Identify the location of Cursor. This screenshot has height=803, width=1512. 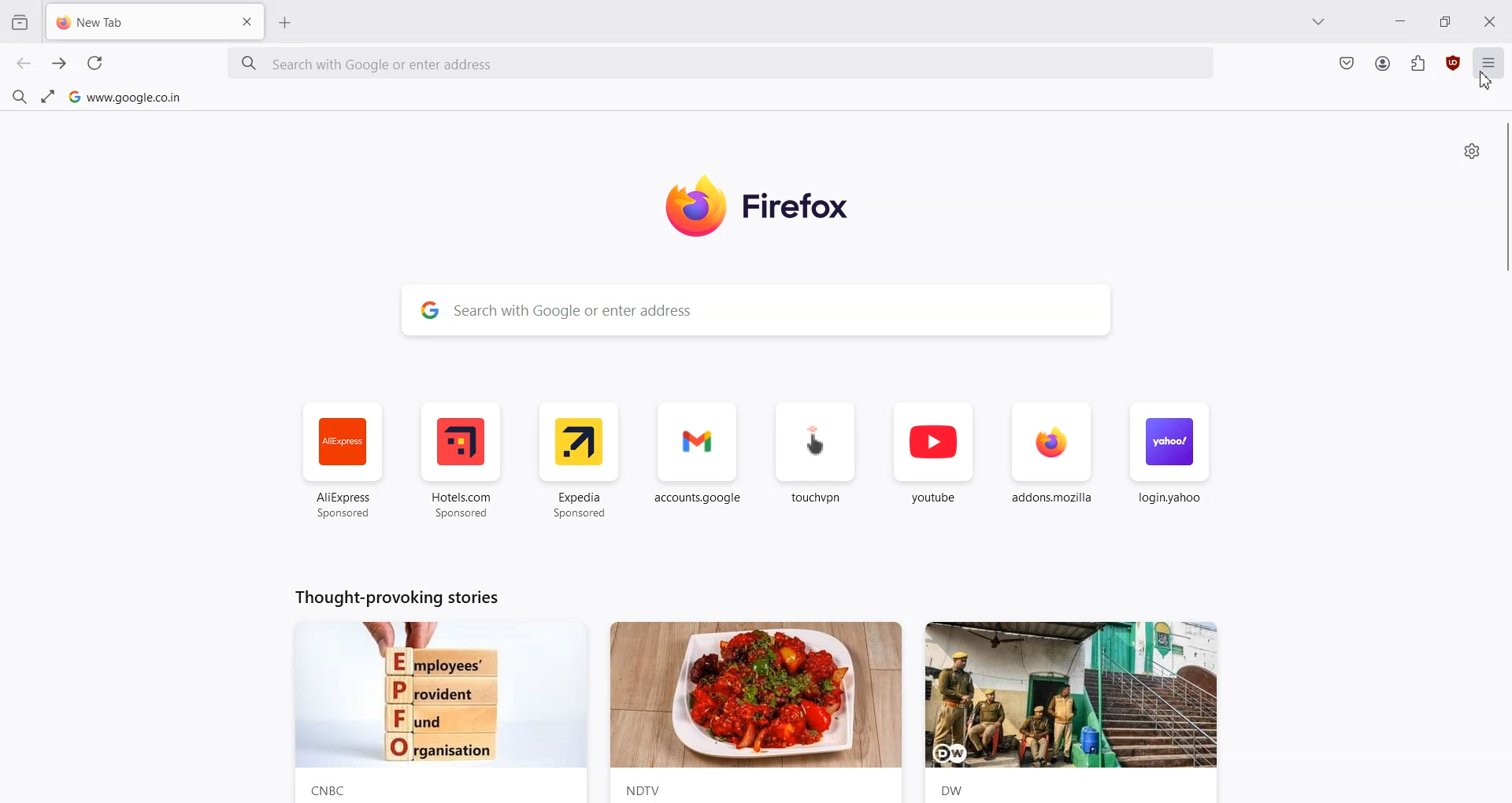
(1488, 80).